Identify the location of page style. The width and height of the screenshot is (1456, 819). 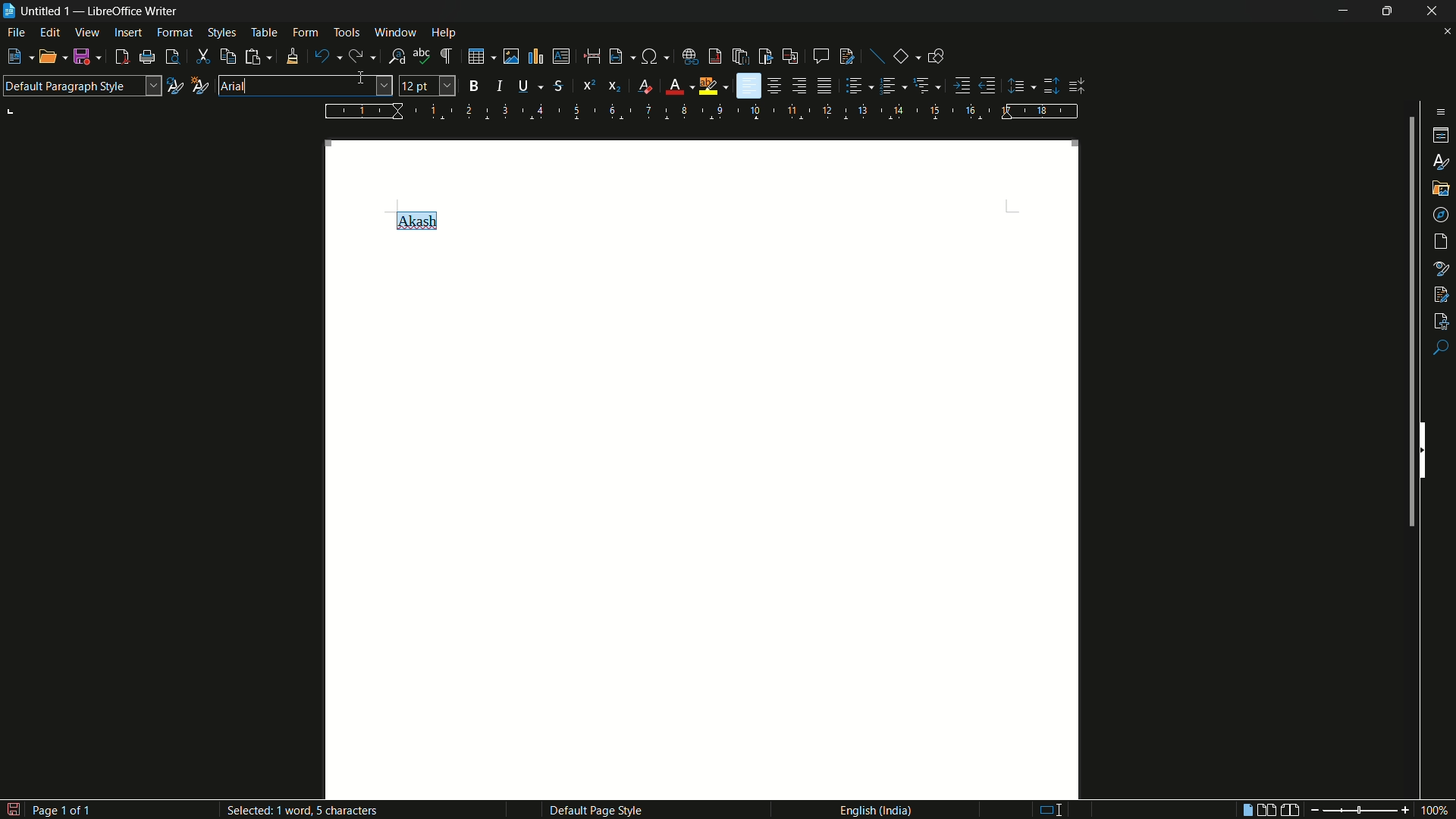
(595, 810).